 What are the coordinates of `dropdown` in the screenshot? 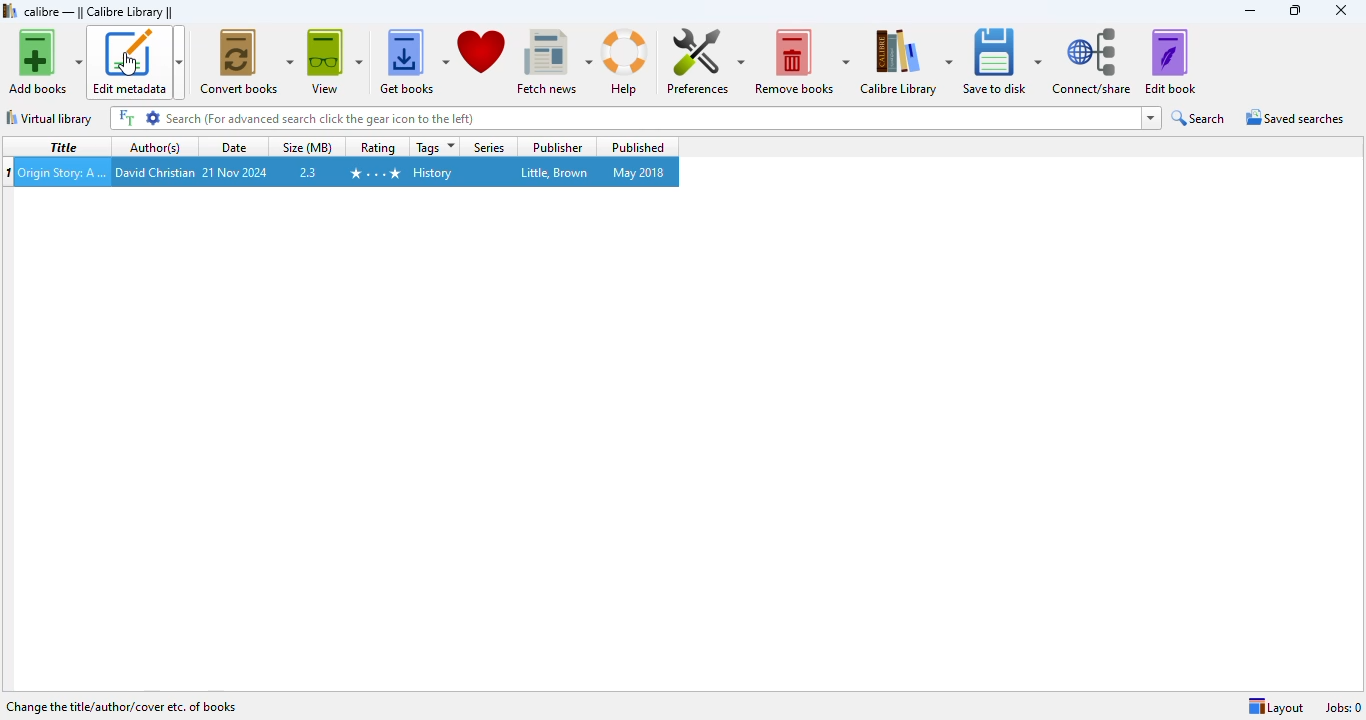 It's located at (1153, 117).